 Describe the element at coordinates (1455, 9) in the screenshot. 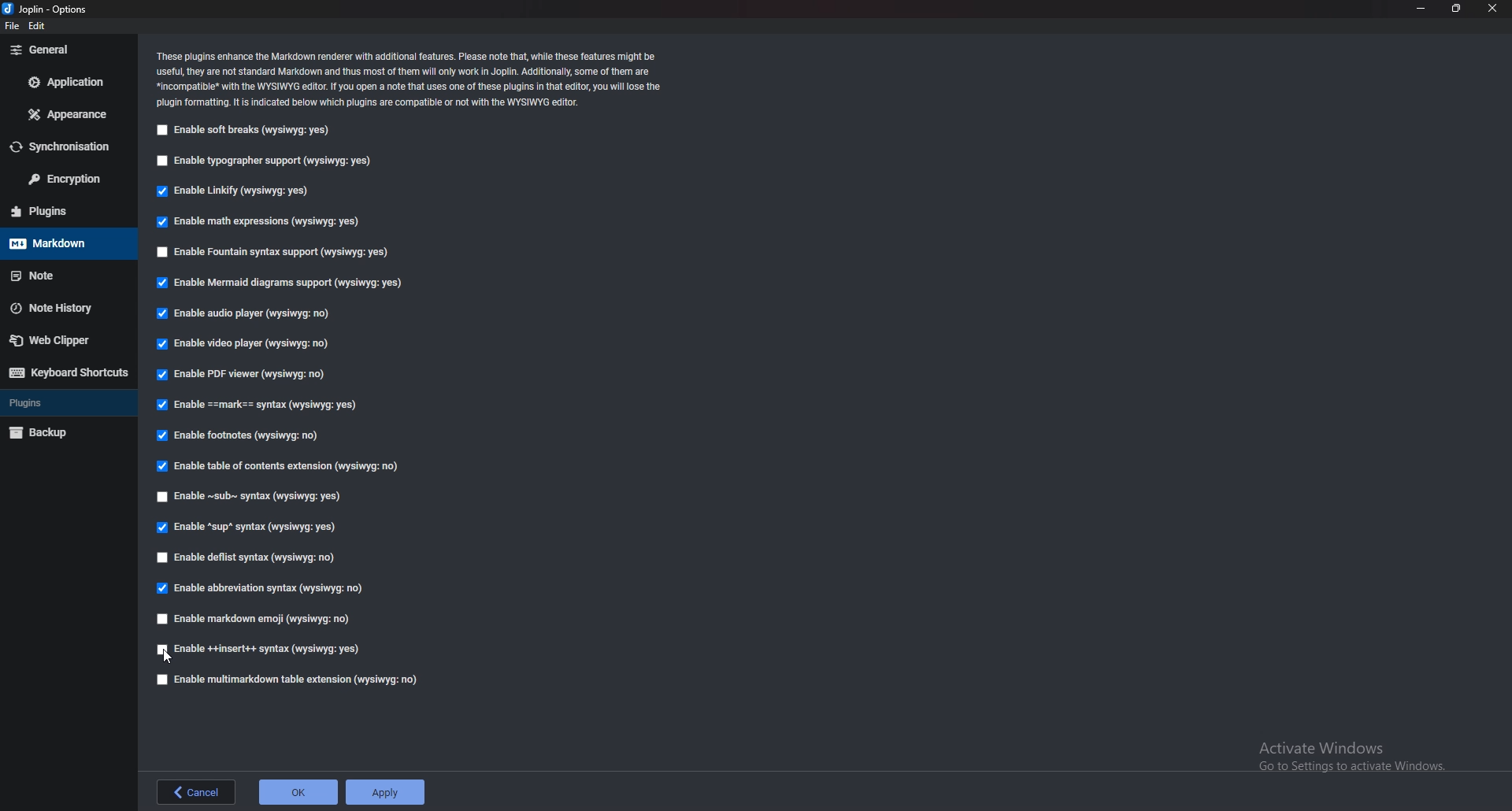

I see `resize` at that location.